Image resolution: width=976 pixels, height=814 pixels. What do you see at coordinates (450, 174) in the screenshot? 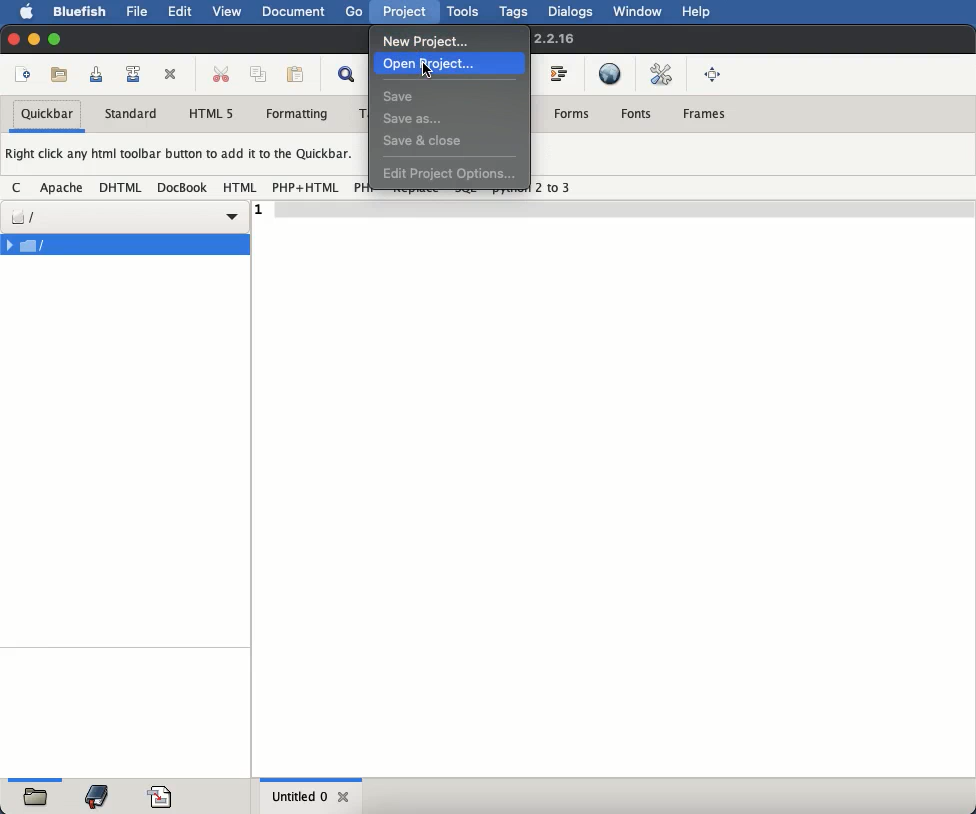
I see `edit project options` at bounding box center [450, 174].